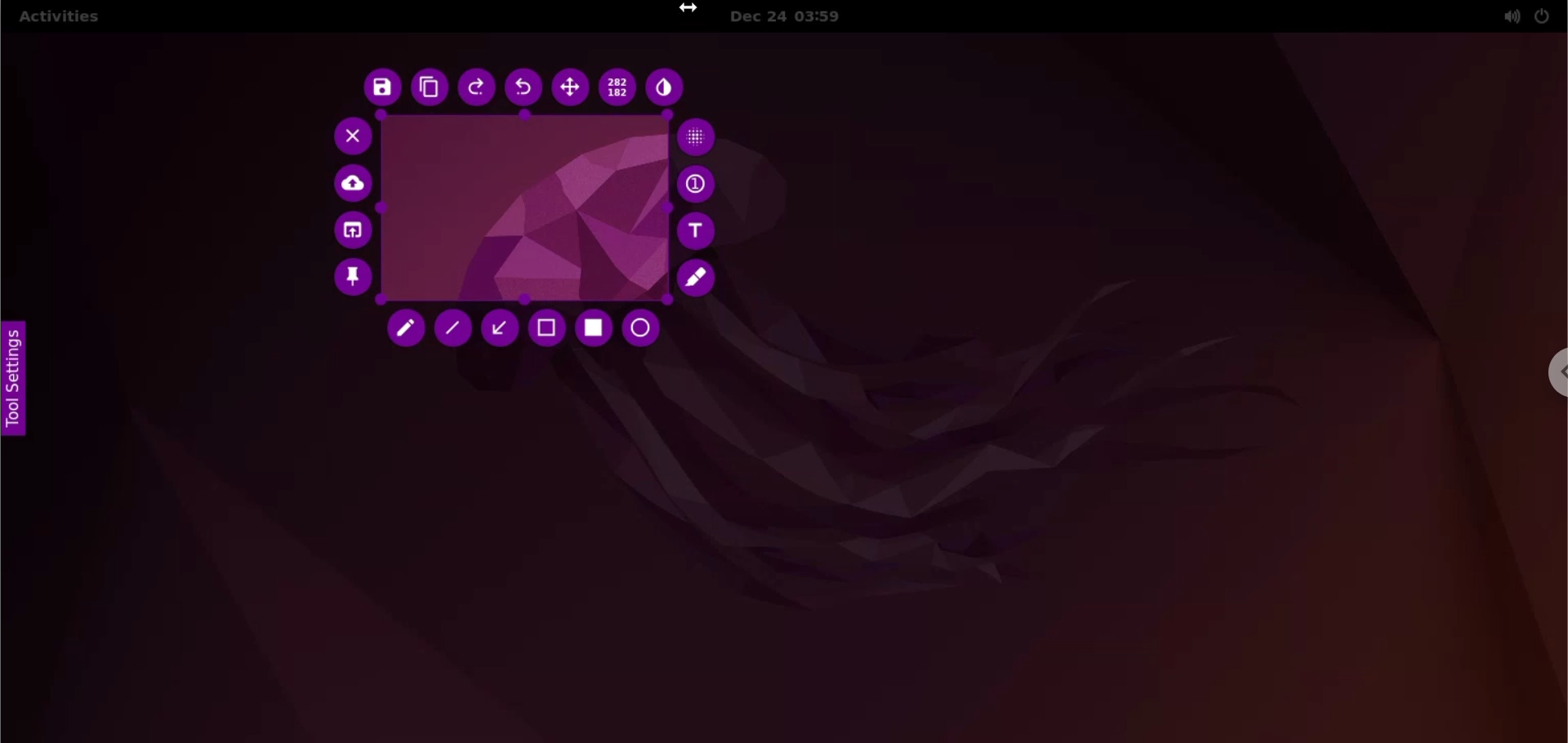  Describe the element at coordinates (667, 86) in the screenshot. I see `inverter  ` at that location.